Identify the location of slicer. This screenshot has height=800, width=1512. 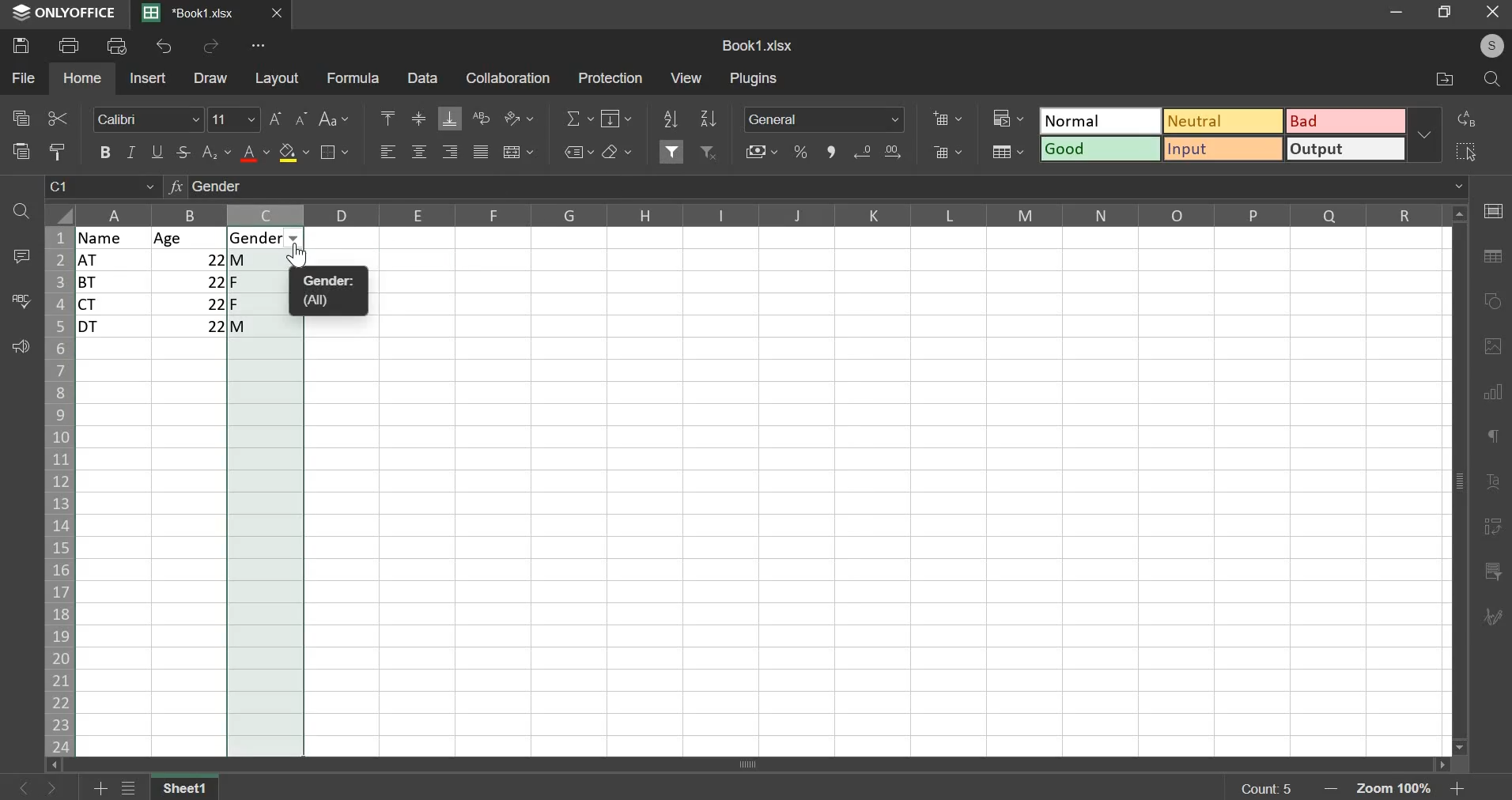
(1495, 572).